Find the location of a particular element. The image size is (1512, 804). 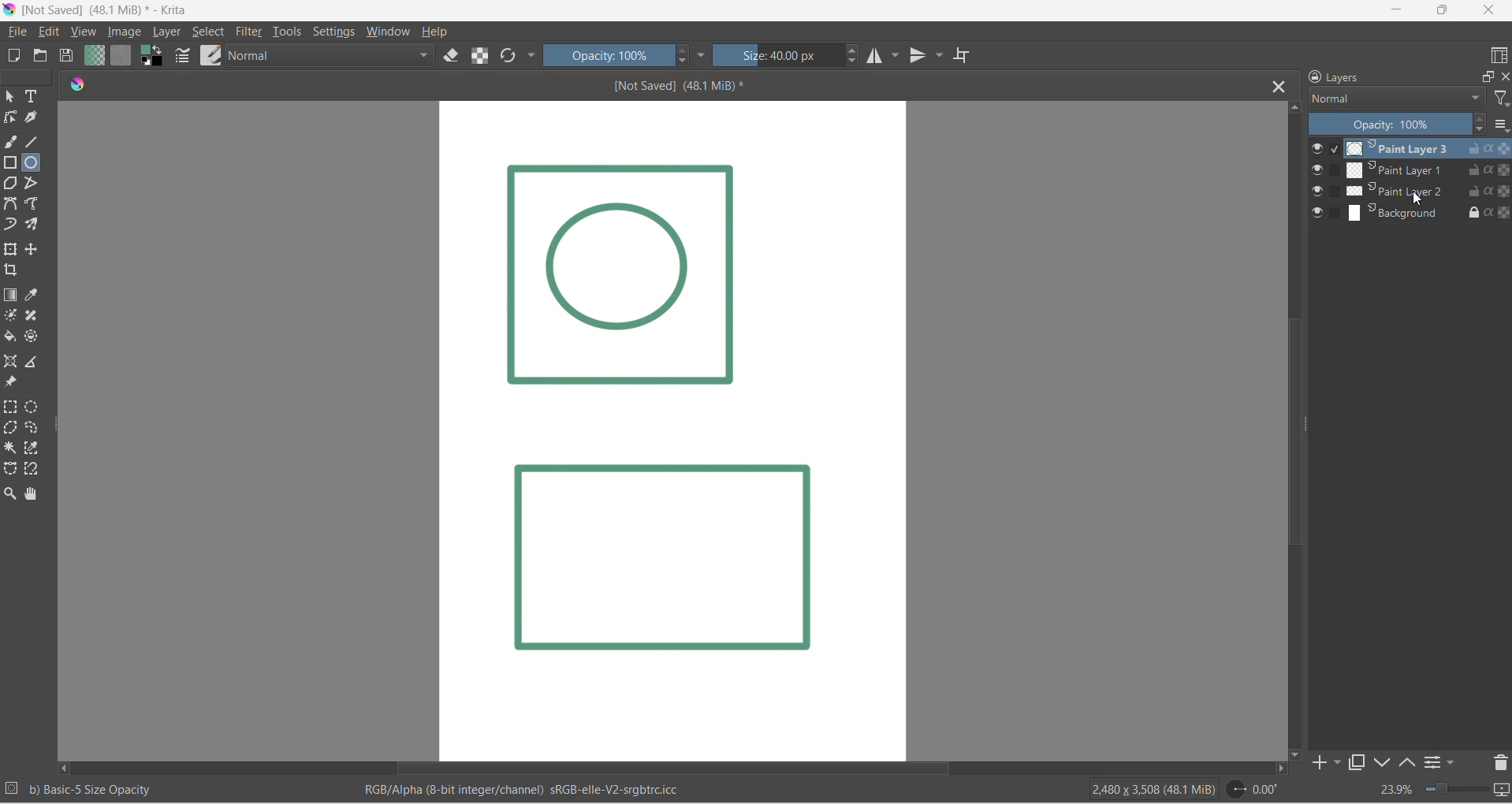

reference image tool is located at coordinates (13, 384).